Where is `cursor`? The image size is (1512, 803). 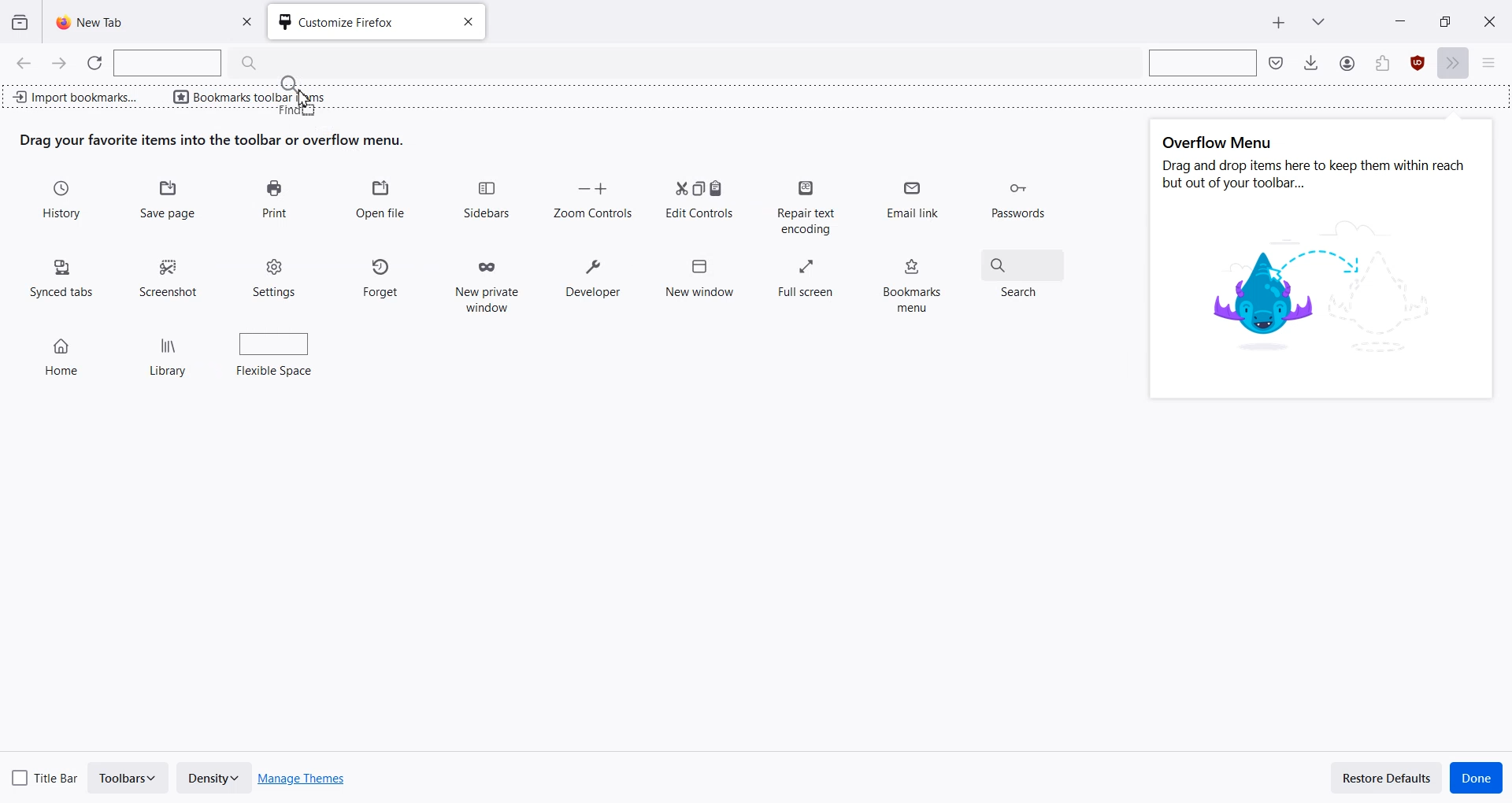 cursor is located at coordinates (305, 98).